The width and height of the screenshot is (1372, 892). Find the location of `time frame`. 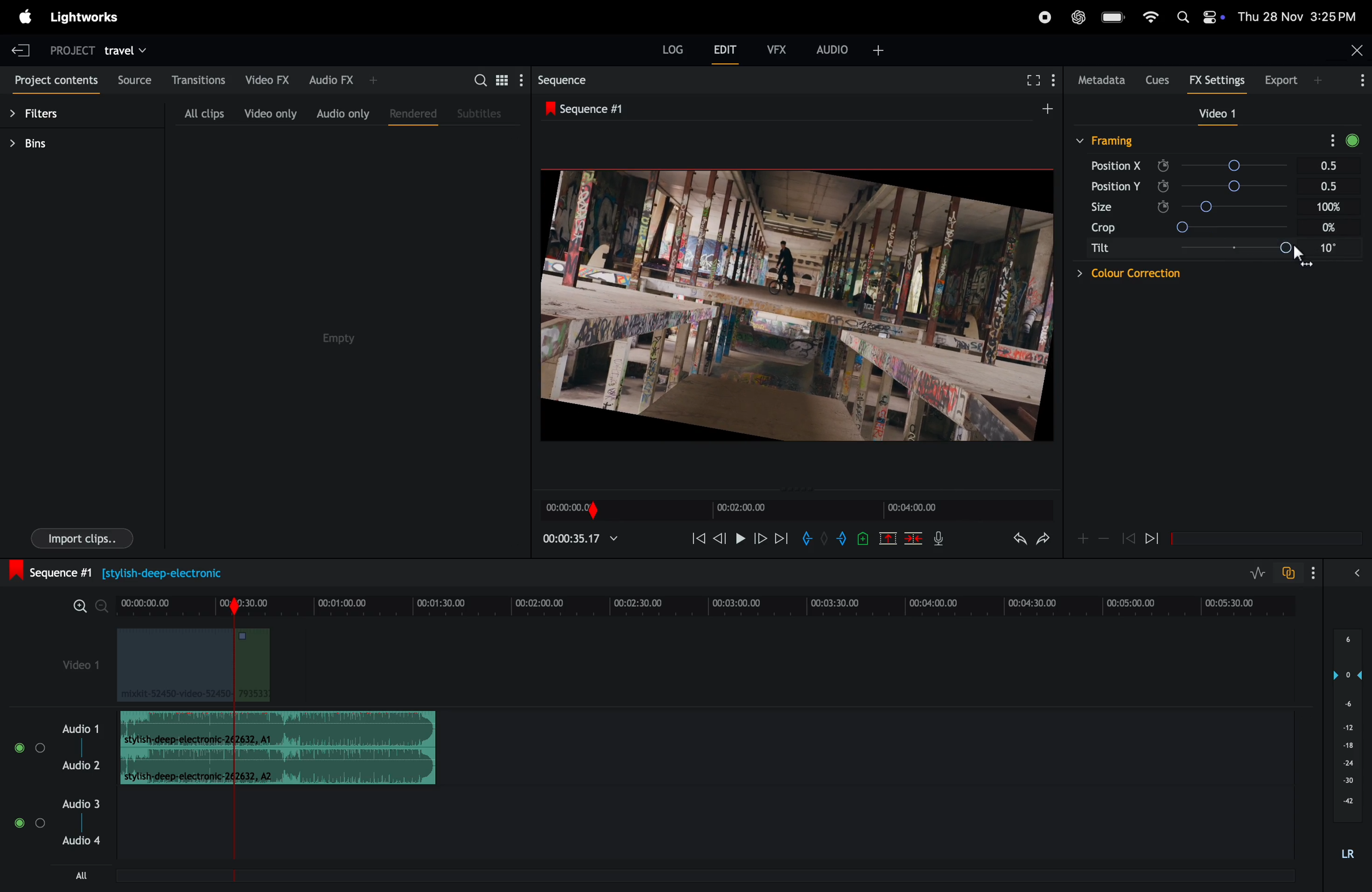

time frame is located at coordinates (579, 538).